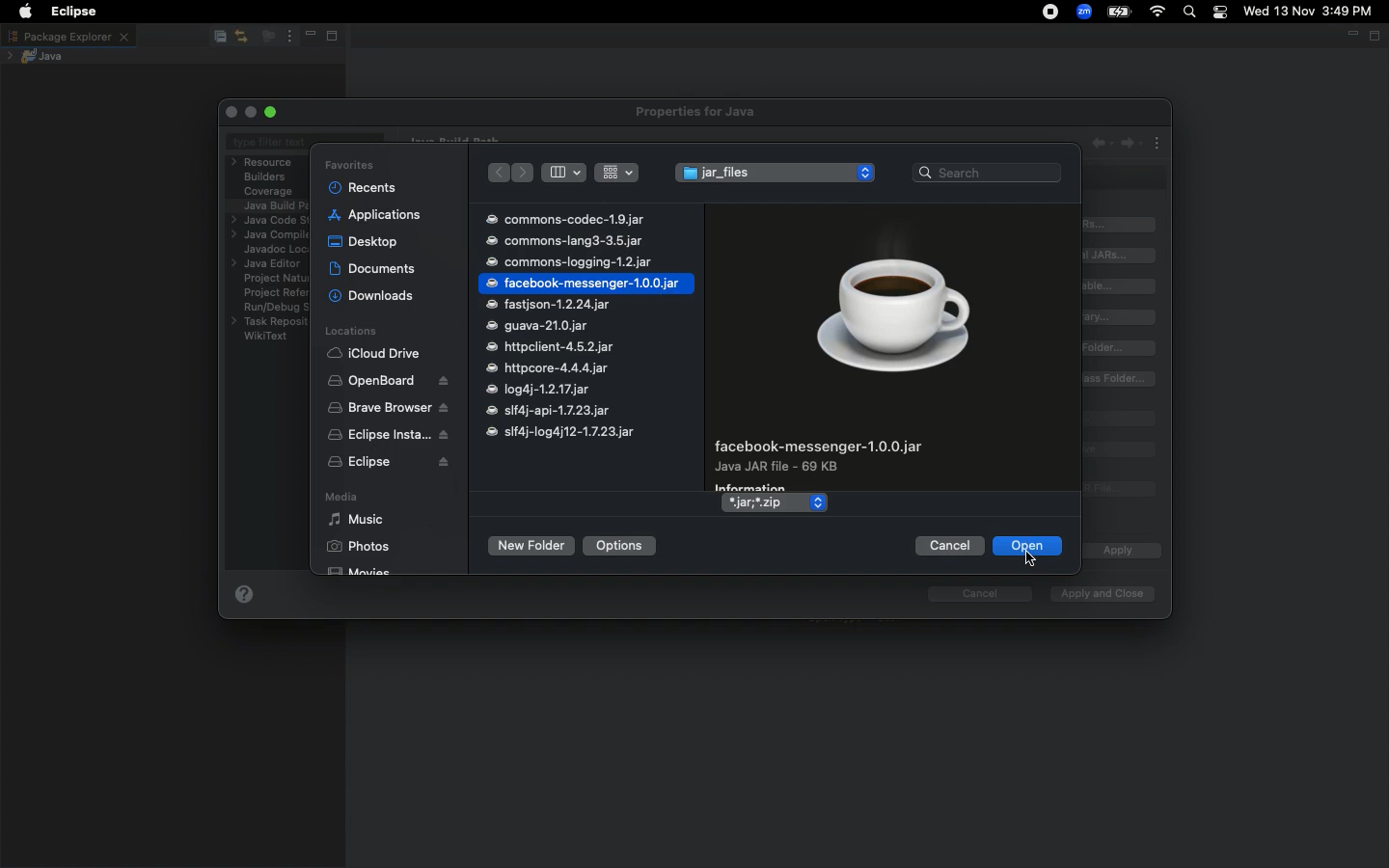  Describe the element at coordinates (25, 12) in the screenshot. I see `Apple logo` at that location.